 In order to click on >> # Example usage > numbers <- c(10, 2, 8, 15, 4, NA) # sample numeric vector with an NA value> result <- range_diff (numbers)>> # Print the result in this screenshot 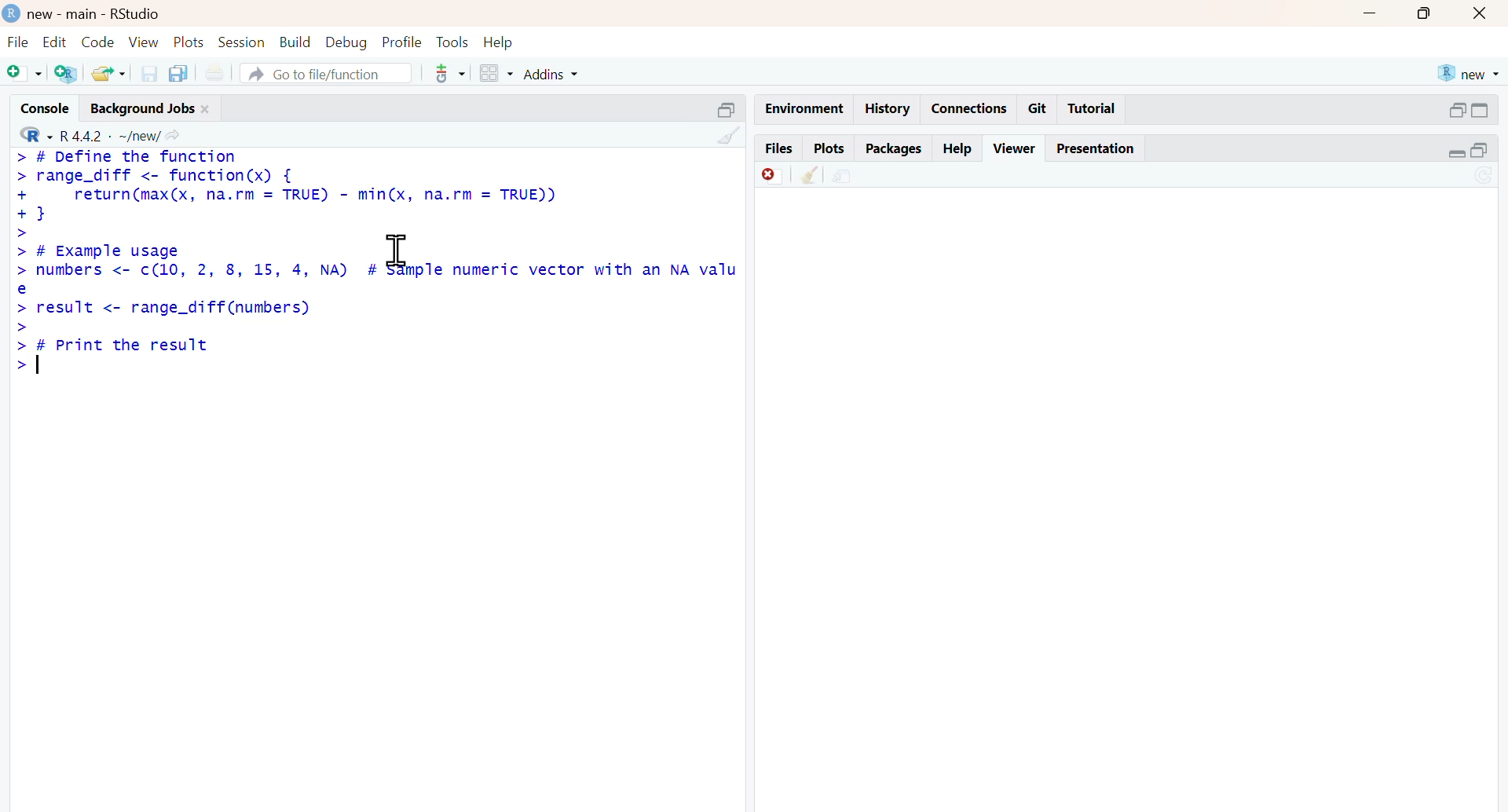, I will do `click(374, 290)`.